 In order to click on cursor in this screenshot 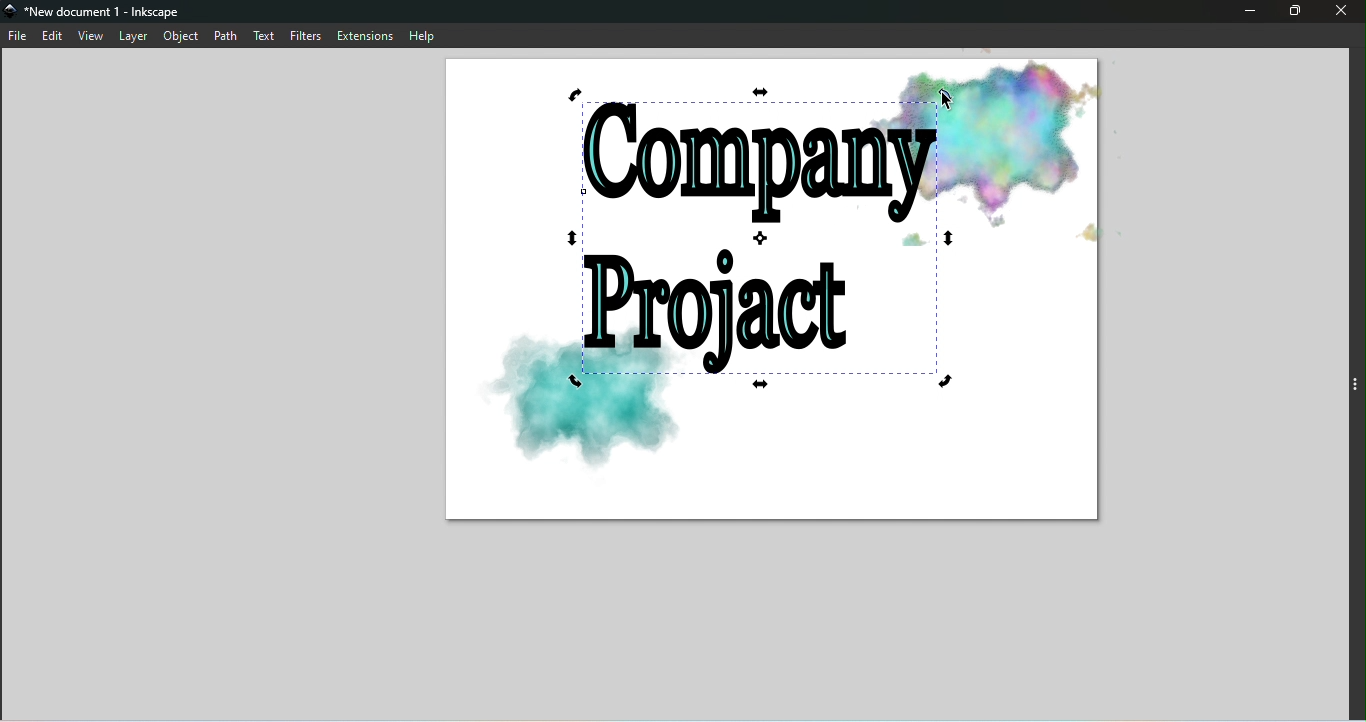, I will do `click(951, 102)`.